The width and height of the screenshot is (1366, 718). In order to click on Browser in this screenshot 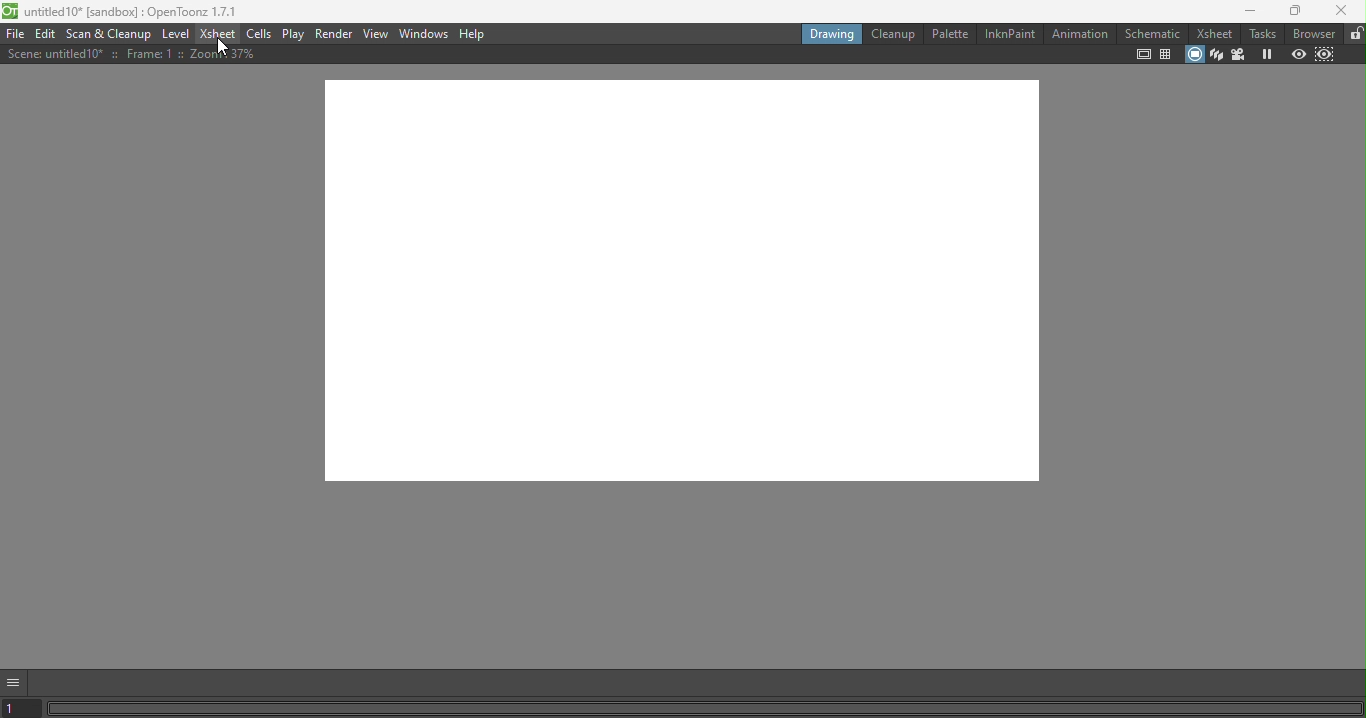, I will do `click(1312, 33)`.